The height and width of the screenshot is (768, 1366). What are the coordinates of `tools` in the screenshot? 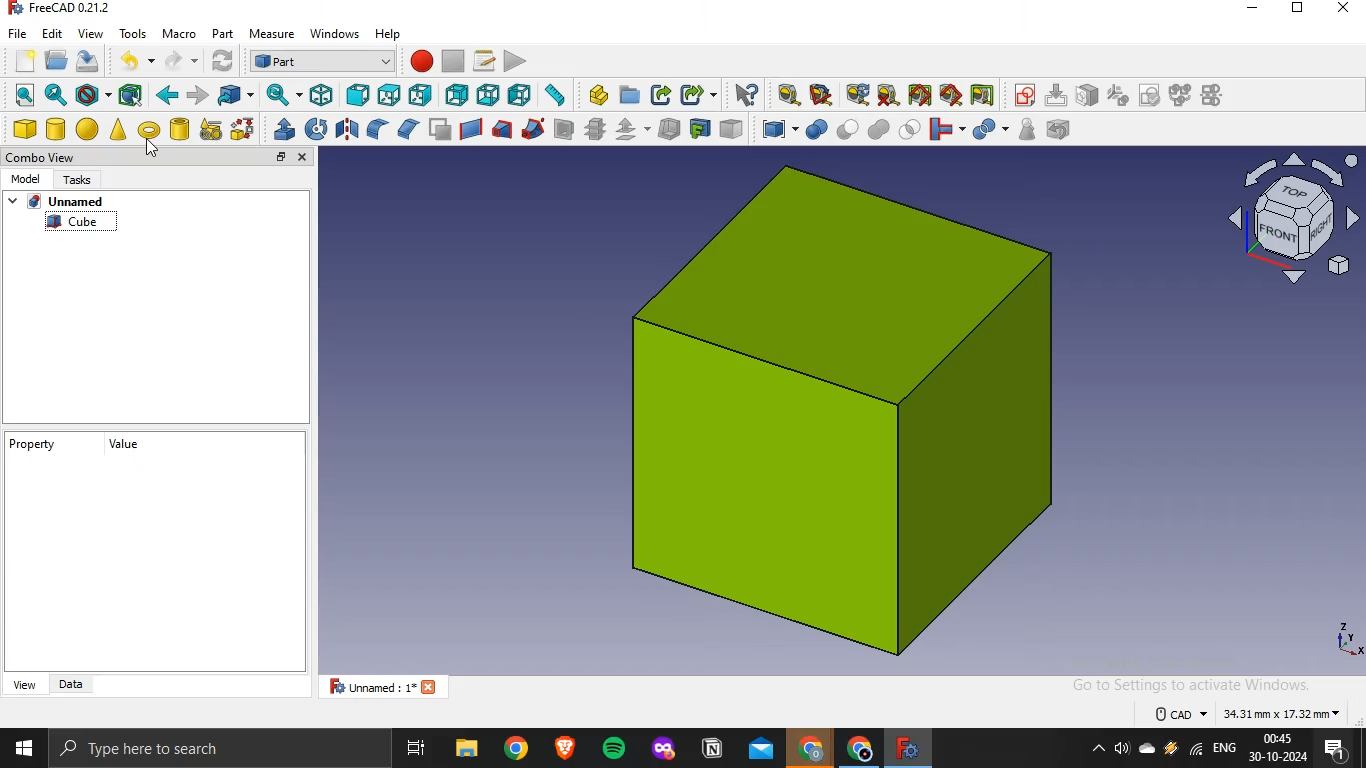 It's located at (135, 33).